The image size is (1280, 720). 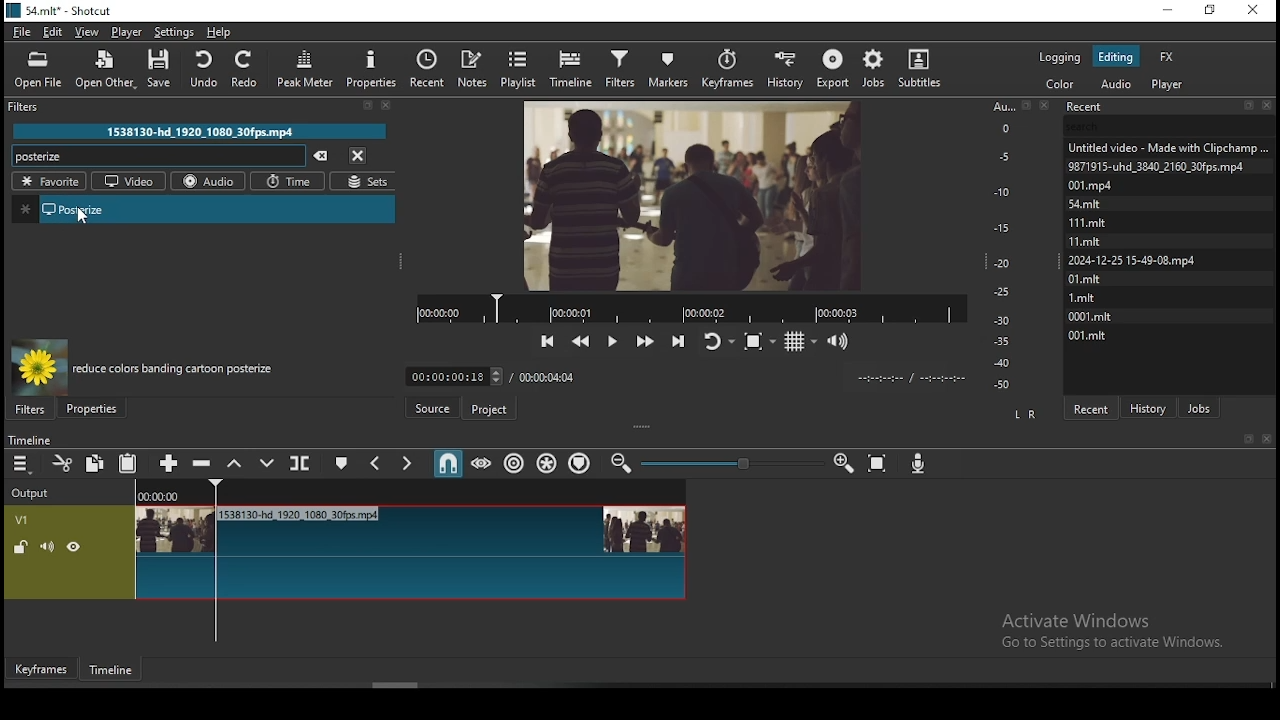 I want to click on elapsed time, so click(x=454, y=376).